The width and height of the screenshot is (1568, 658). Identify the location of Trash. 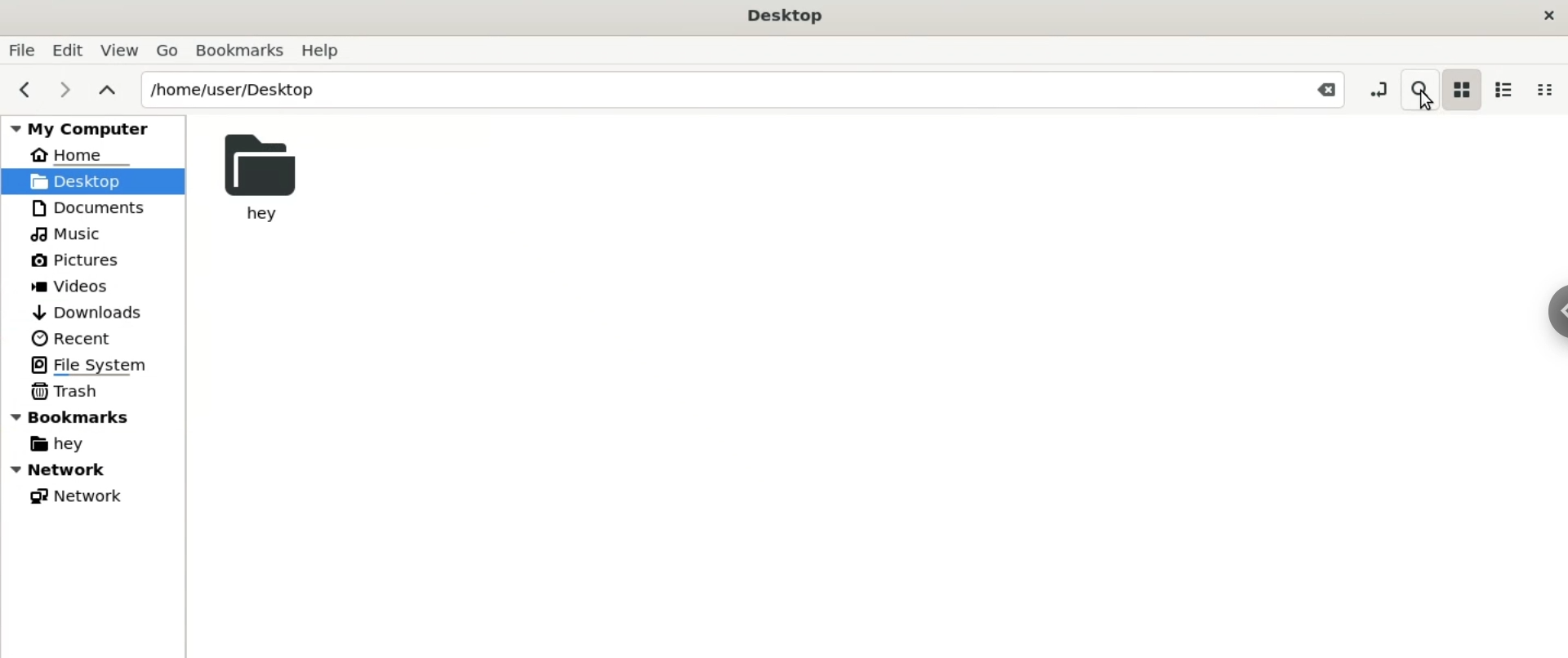
(65, 390).